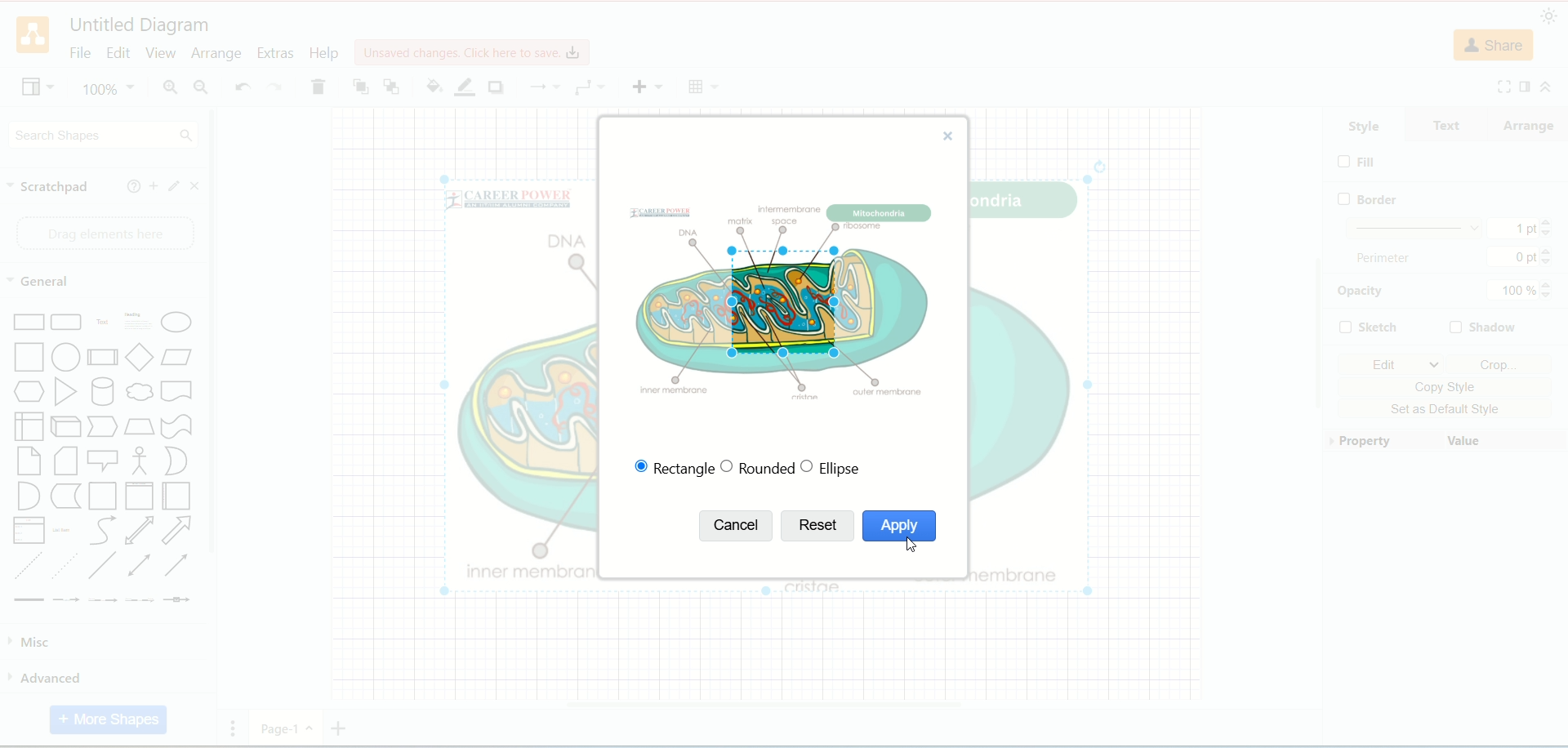  Describe the element at coordinates (141, 359) in the screenshot. I see `Diamond` at that location.